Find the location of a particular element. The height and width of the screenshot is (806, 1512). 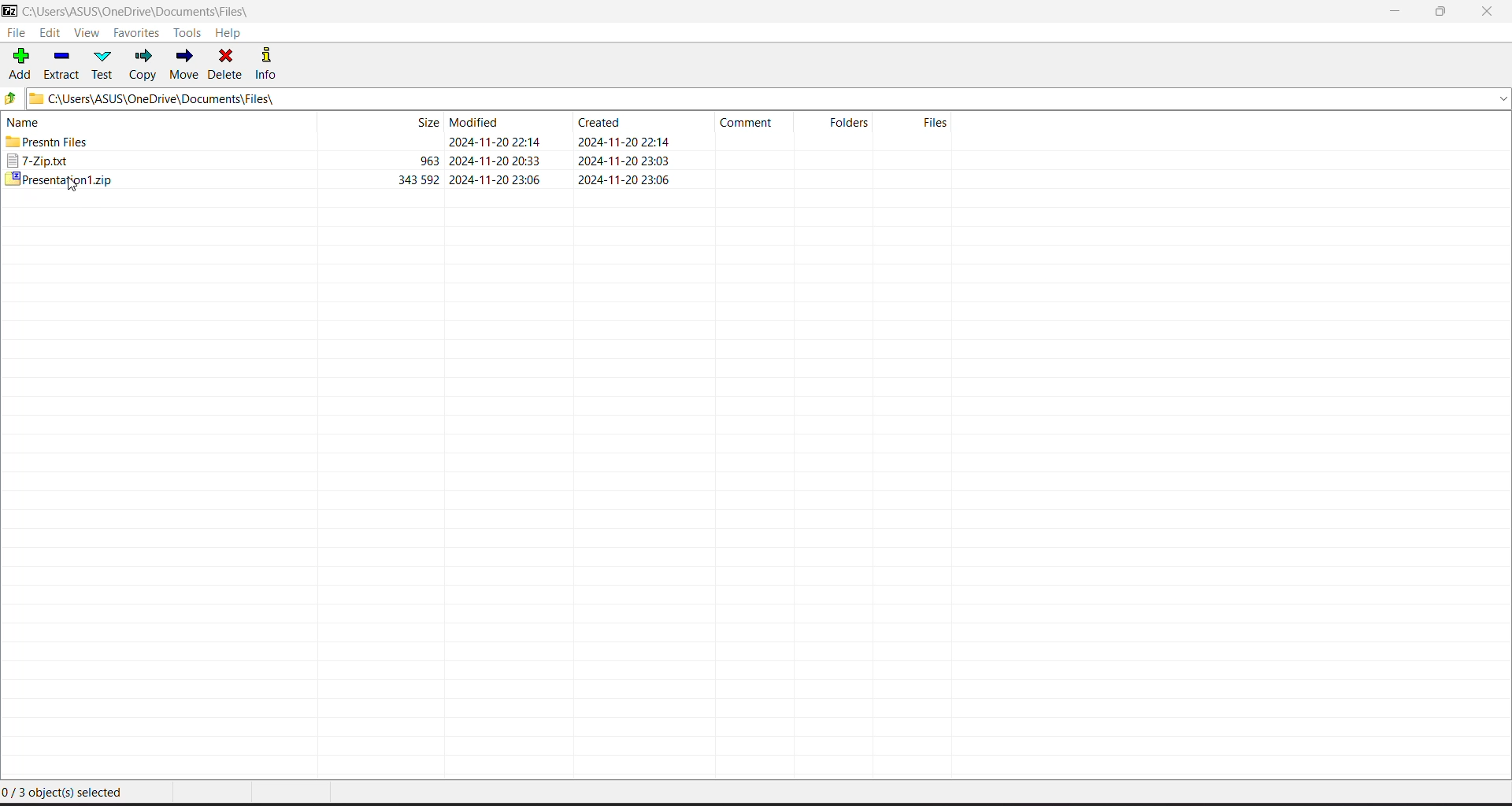

Move is located at coordinates (184, 65).